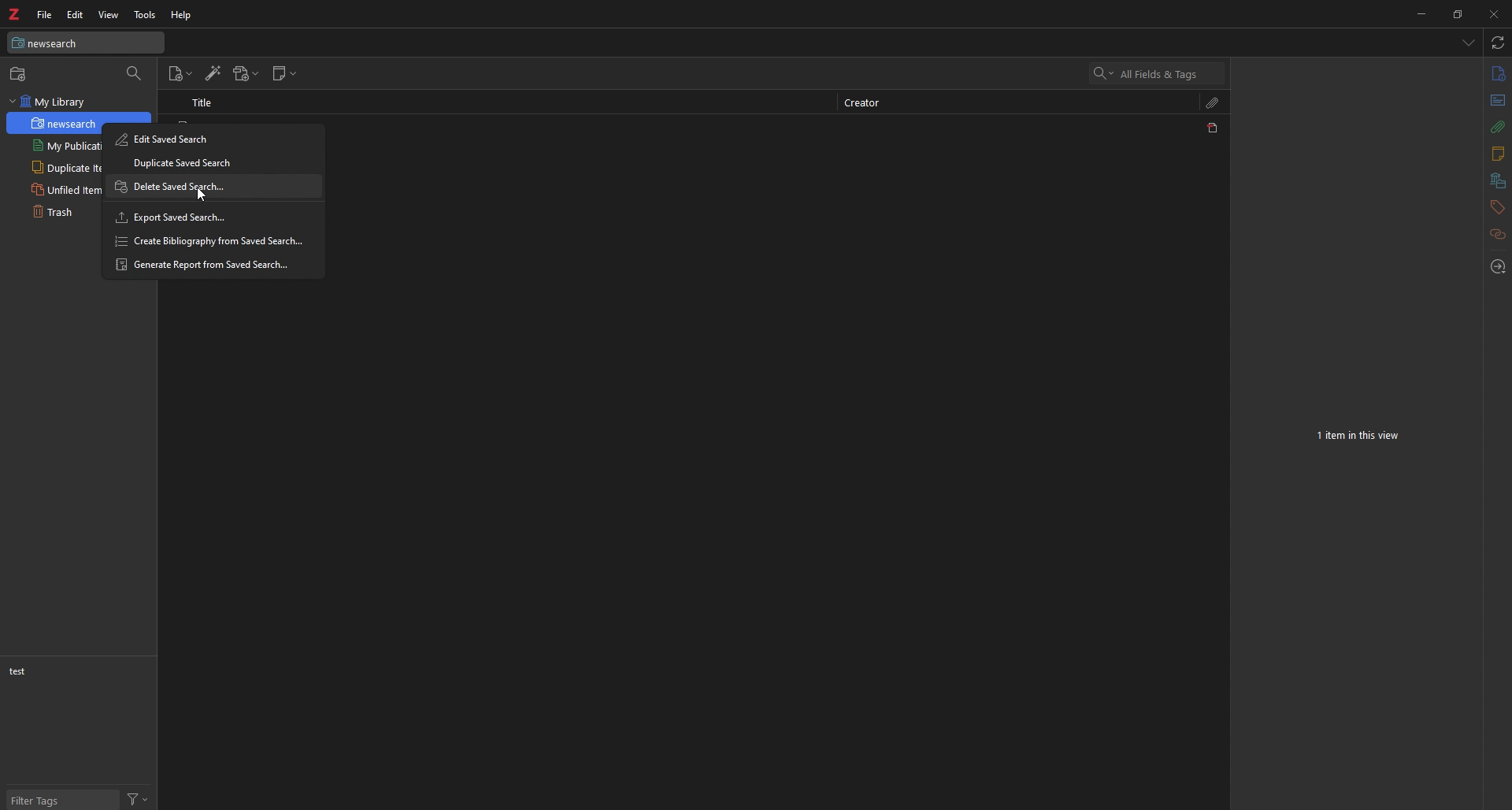  What do you see at coordinates (1495, 13) in the screenshot?
I see `Close` at bounding box center [1495, 13].